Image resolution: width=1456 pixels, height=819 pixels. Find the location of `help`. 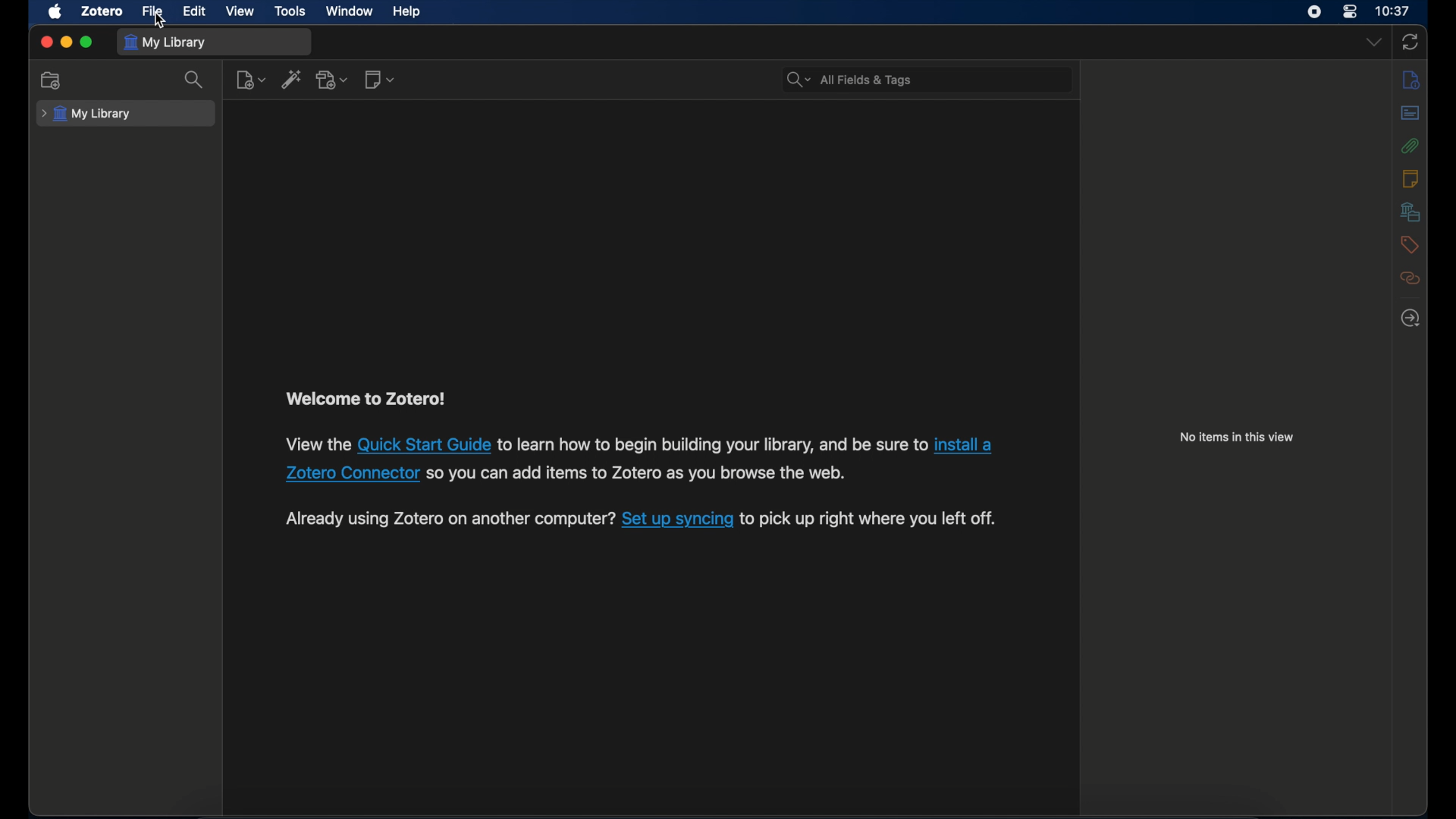

help is located at coordinates (406, 12).